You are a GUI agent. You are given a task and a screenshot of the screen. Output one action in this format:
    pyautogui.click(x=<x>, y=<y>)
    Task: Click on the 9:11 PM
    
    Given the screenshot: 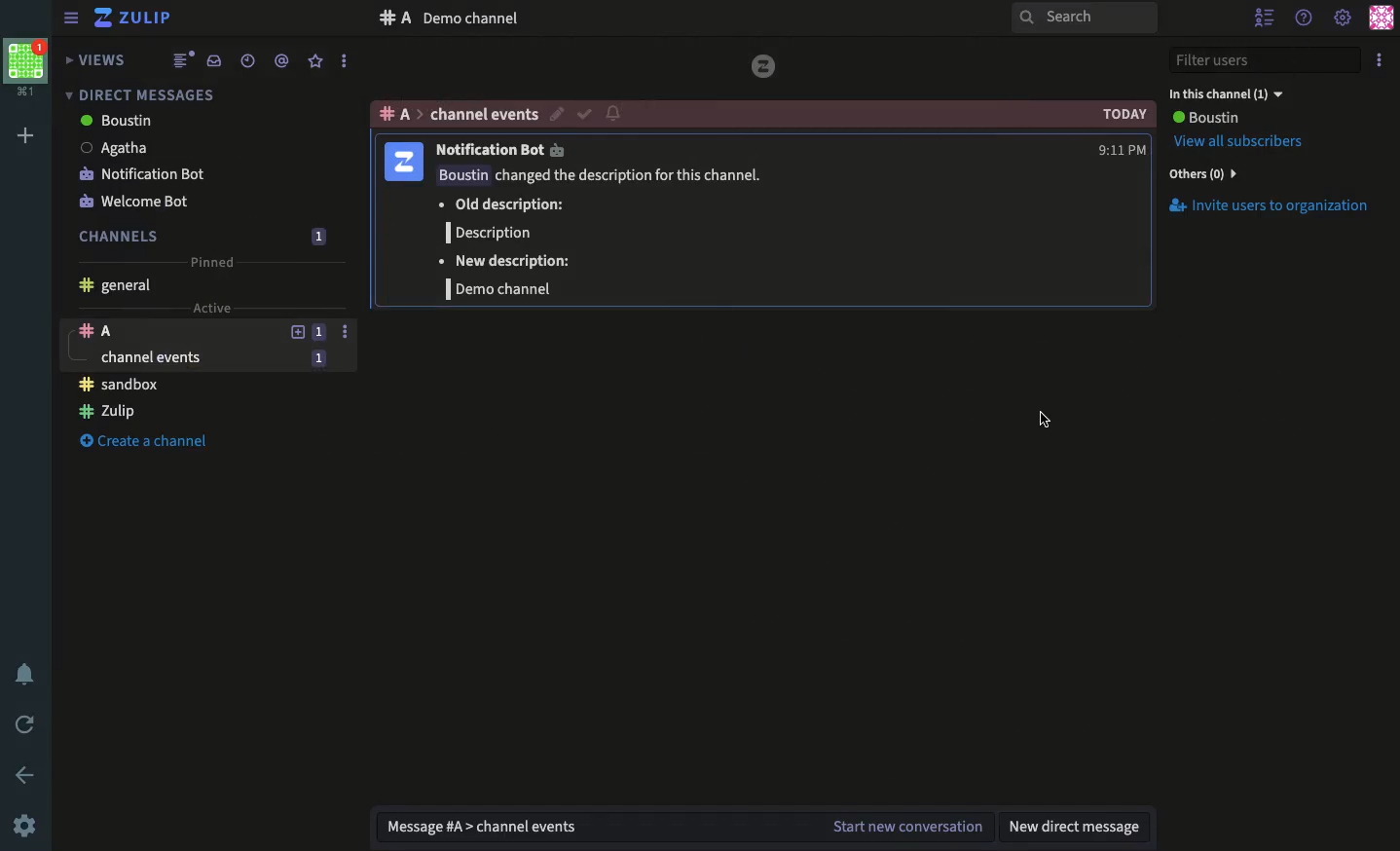 What is the action you would take?
    pyautogui.click(x=1119, y=149)
    